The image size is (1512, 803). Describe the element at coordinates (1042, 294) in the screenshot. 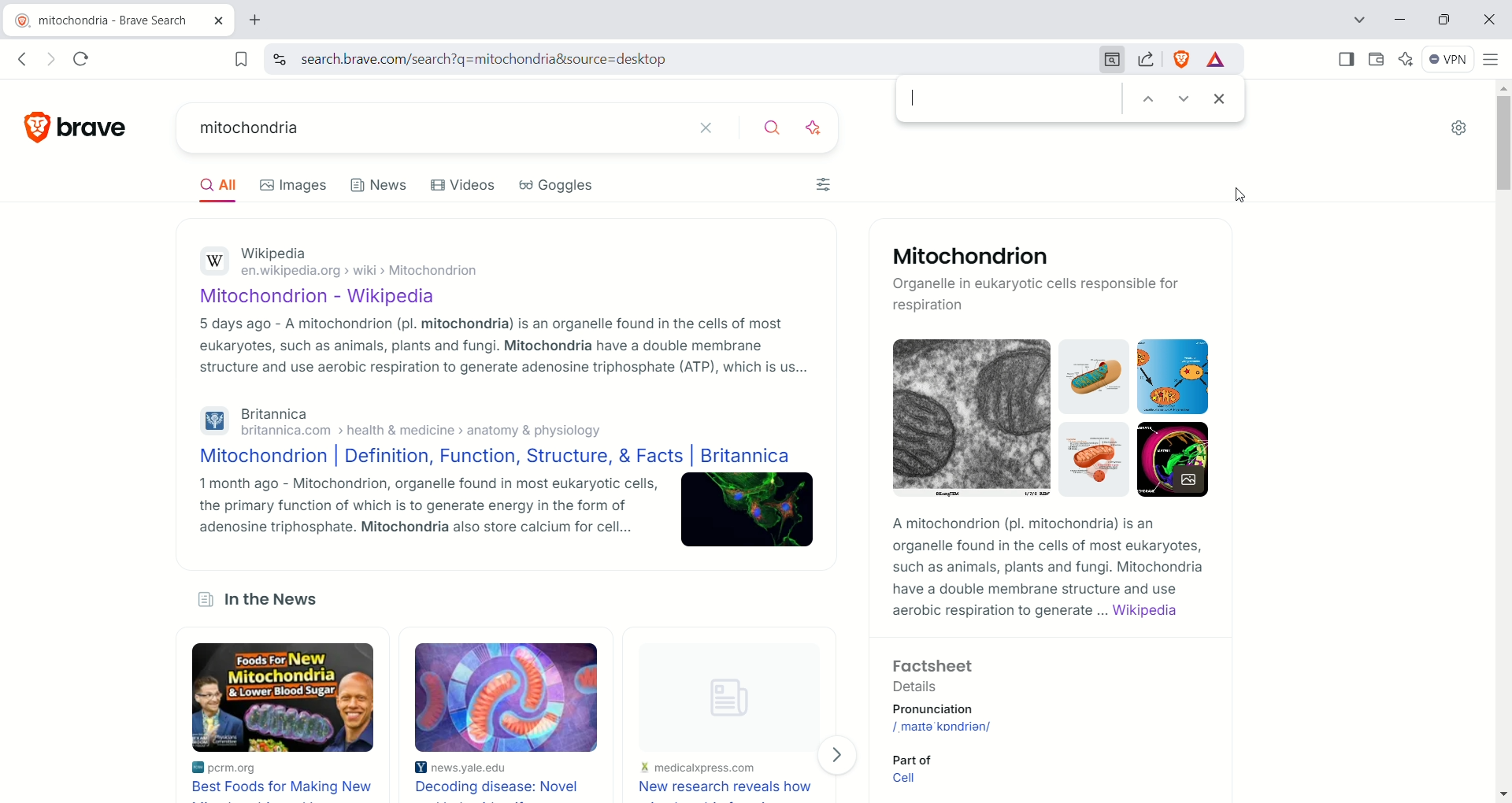

I see `Organelle in eukaryotic cells responsible for respiration` at that location.